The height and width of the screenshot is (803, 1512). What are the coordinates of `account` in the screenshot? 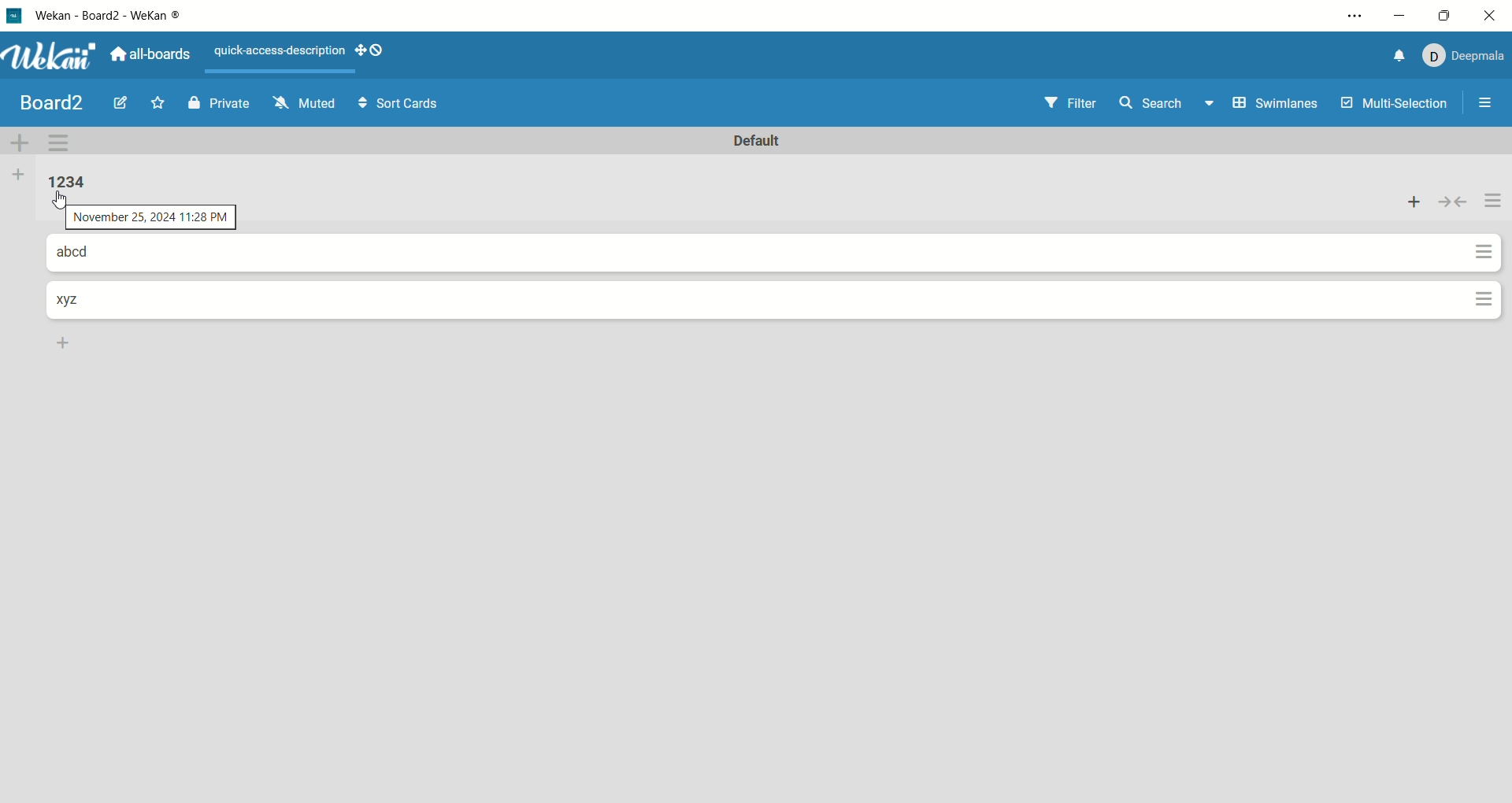 It's located at (1462, 54).